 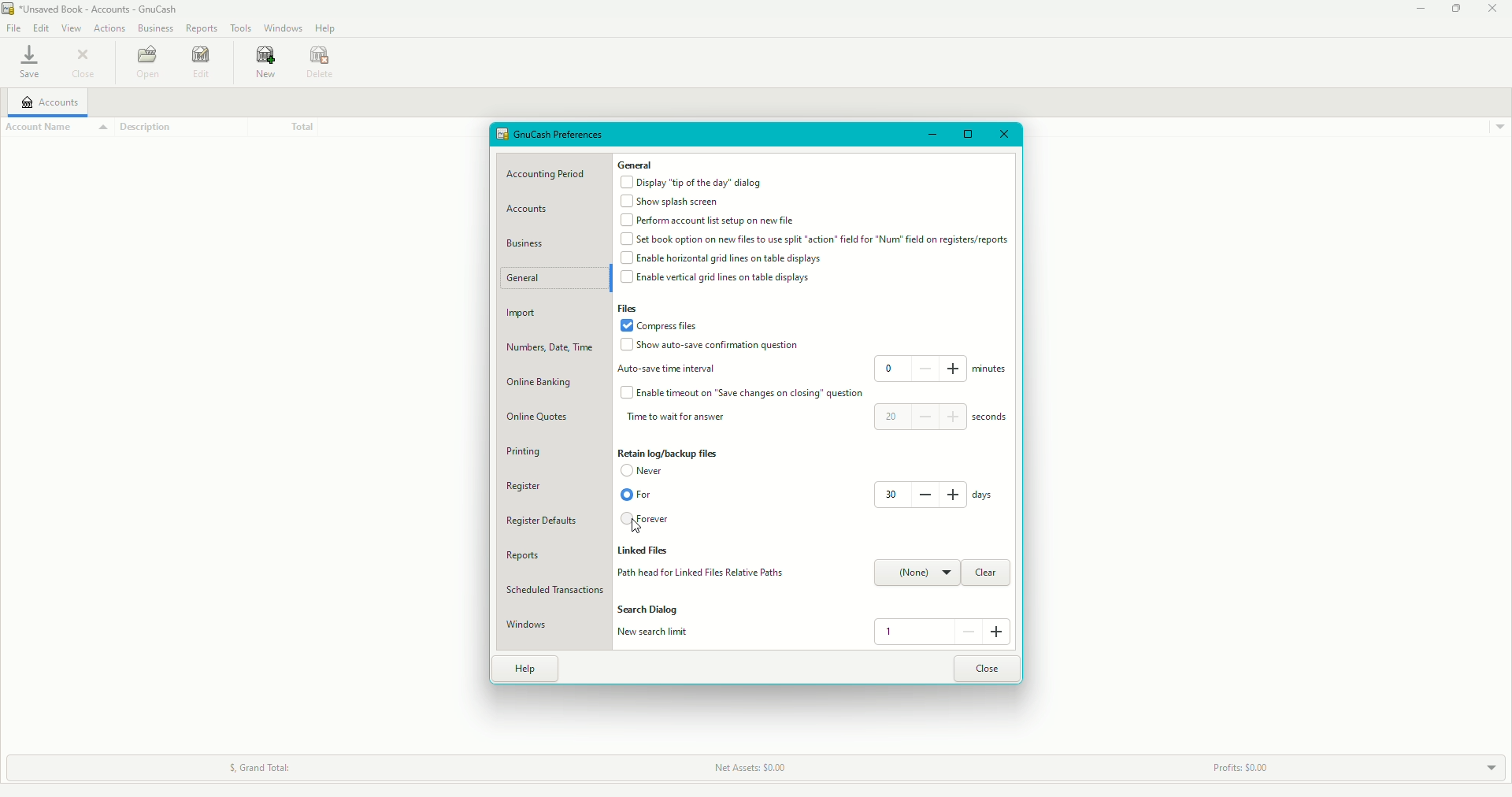 What do you see at coordinates (747, 769) in the screenshot?
I see `Net Assets` at bounding box center [747, 769].